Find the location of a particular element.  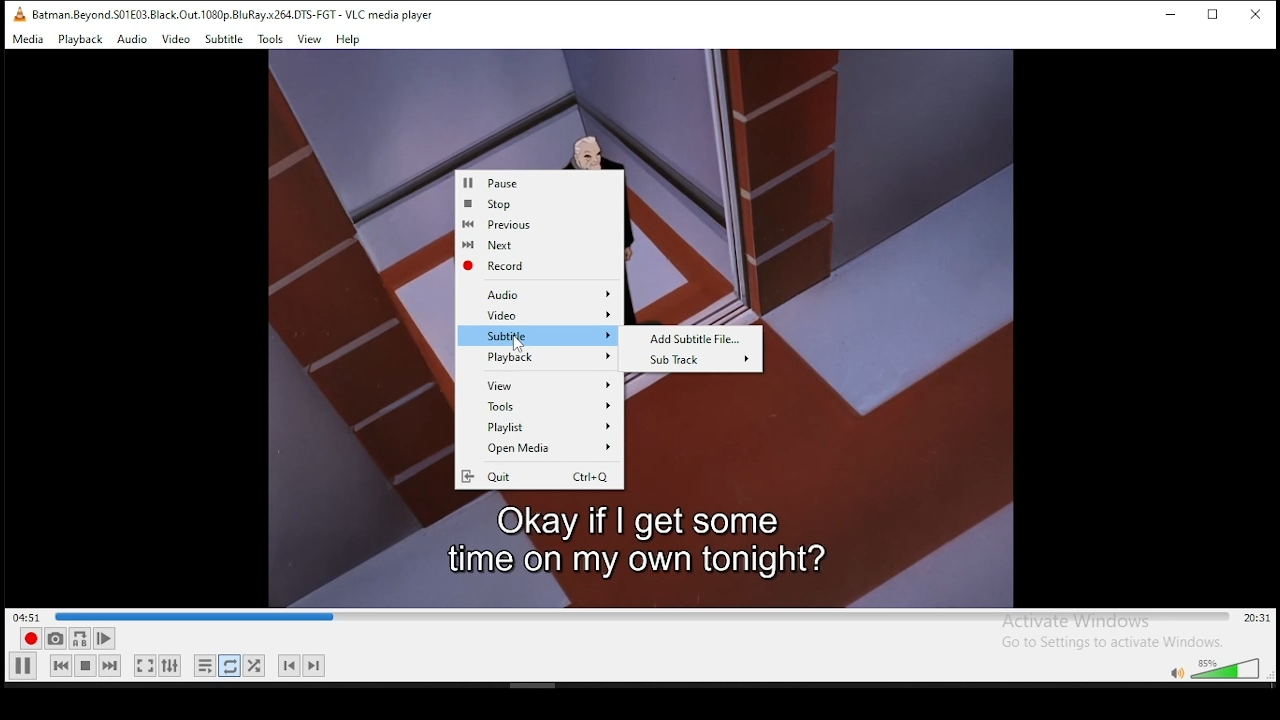

repeat is located at coordinates (231, 668).